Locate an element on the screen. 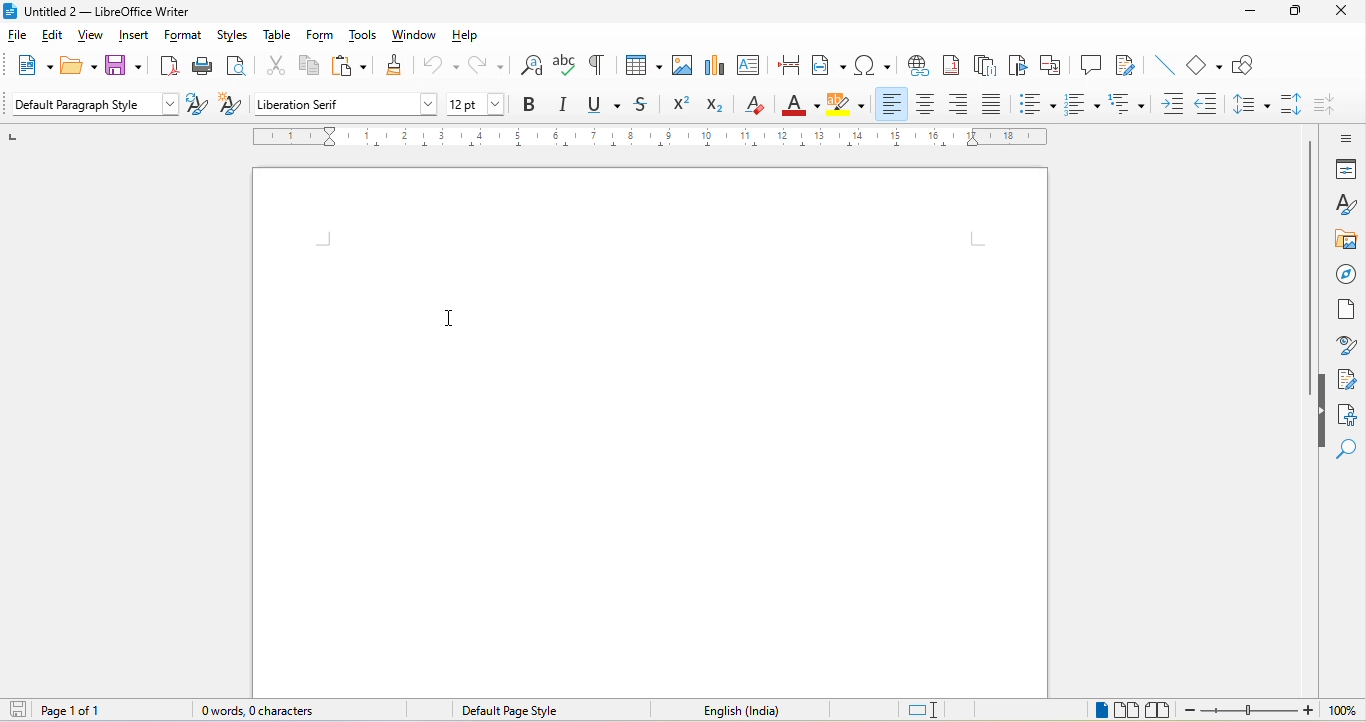  update selected style is located at coordinates (195, 106).